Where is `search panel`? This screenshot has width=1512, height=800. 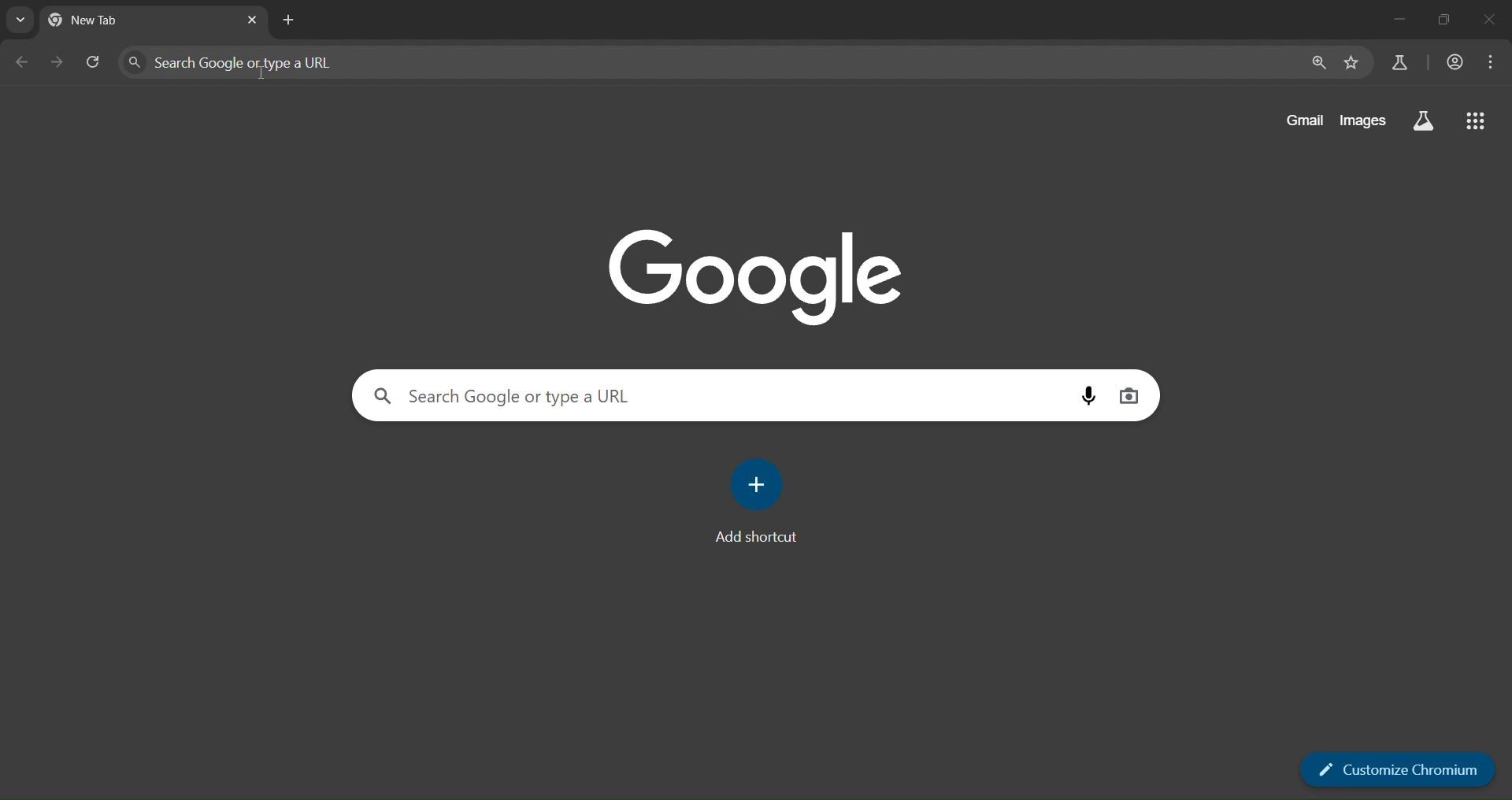 search panel is located at coordinates (1398, 64).